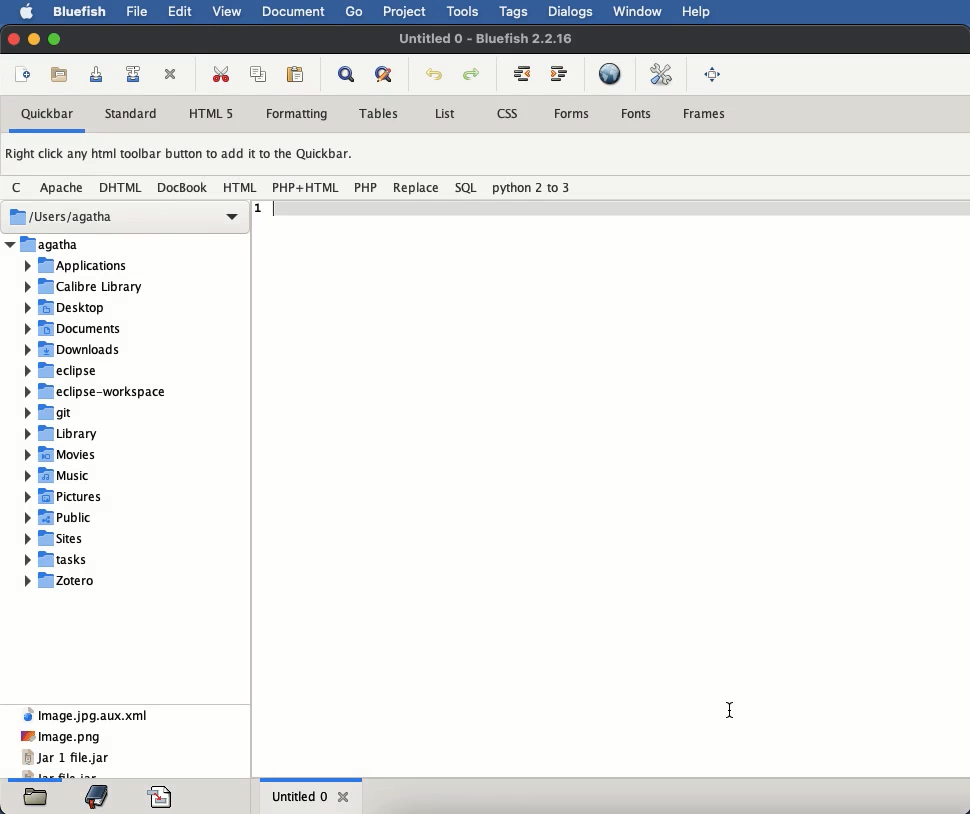 The height and width of the screenshot is (814, 970). What do you see at coordinates (467, 187) in the screenshot?
I see `SQL` at bounding box center [467, 187].